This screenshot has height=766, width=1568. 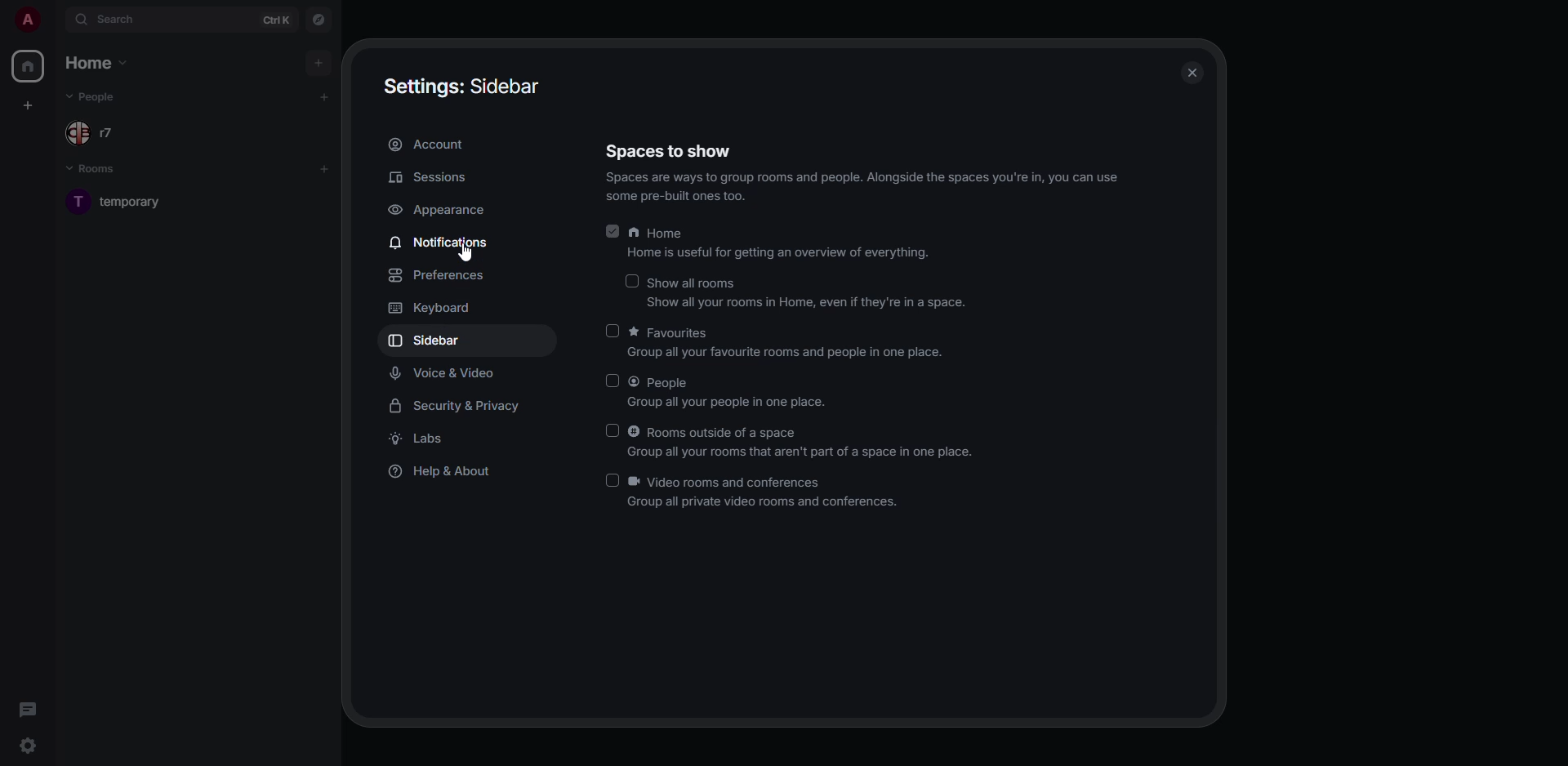 I want to click on create space, so click(x=31, y=102).